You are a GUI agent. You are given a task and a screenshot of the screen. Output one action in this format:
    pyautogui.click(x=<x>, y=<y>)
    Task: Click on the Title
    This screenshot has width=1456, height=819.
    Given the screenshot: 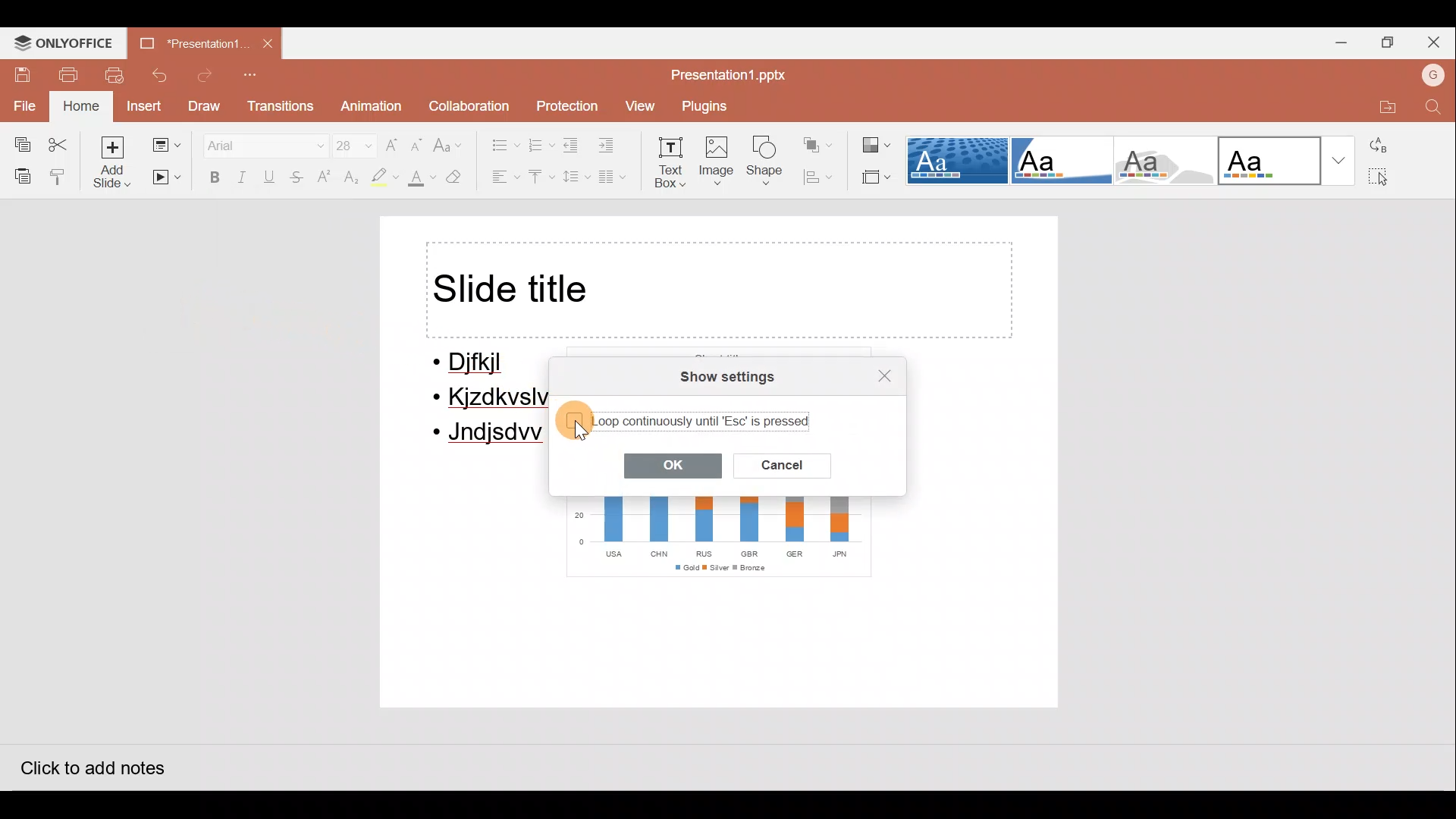 What is the action you would take?
    pyautogui.click(x=719, y=290)
    